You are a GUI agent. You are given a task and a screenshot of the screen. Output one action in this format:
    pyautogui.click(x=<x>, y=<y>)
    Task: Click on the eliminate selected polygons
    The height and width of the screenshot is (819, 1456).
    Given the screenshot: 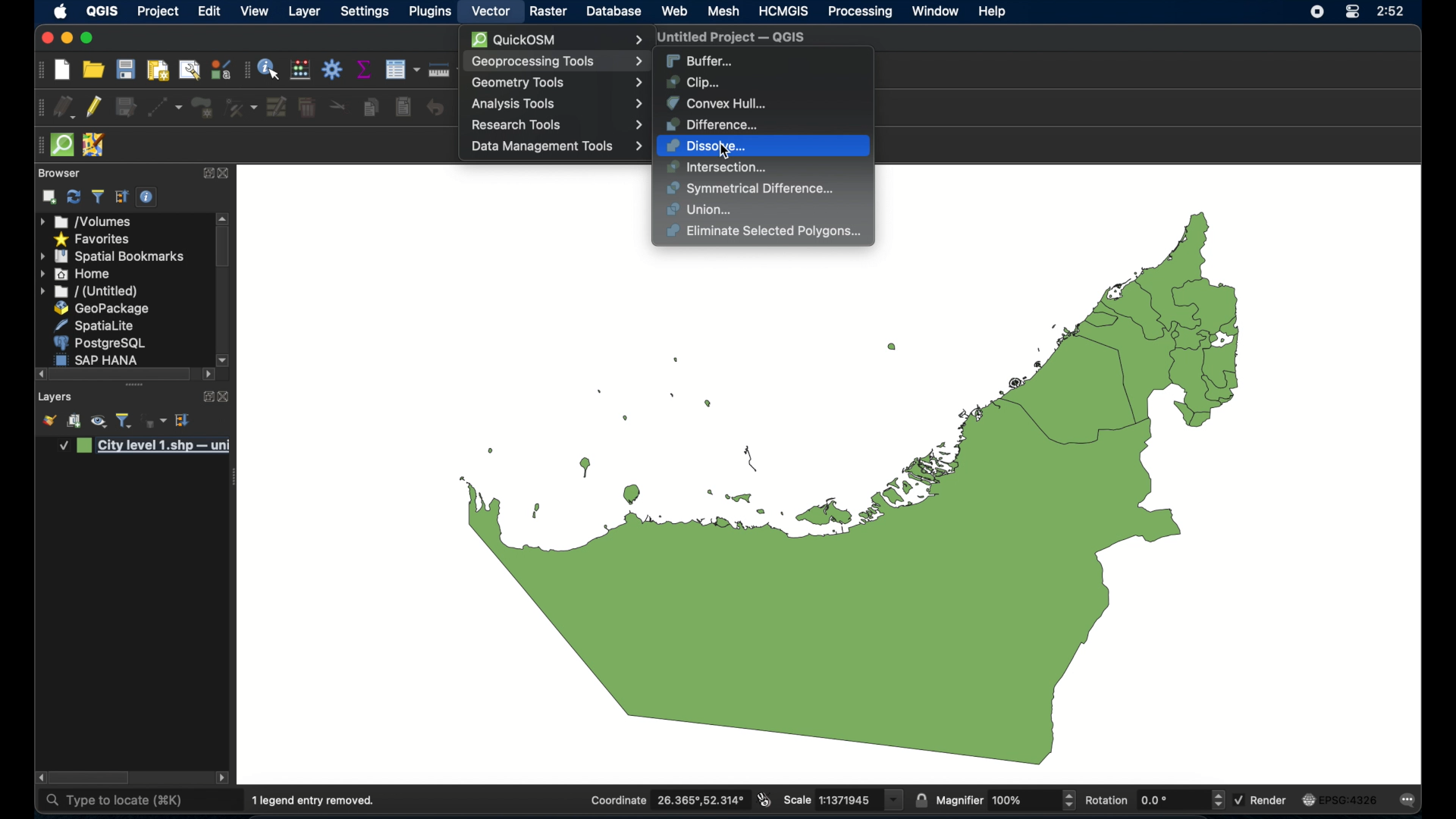 What is the action you would take?
    pyautogui.click(x=766, y=232)
    